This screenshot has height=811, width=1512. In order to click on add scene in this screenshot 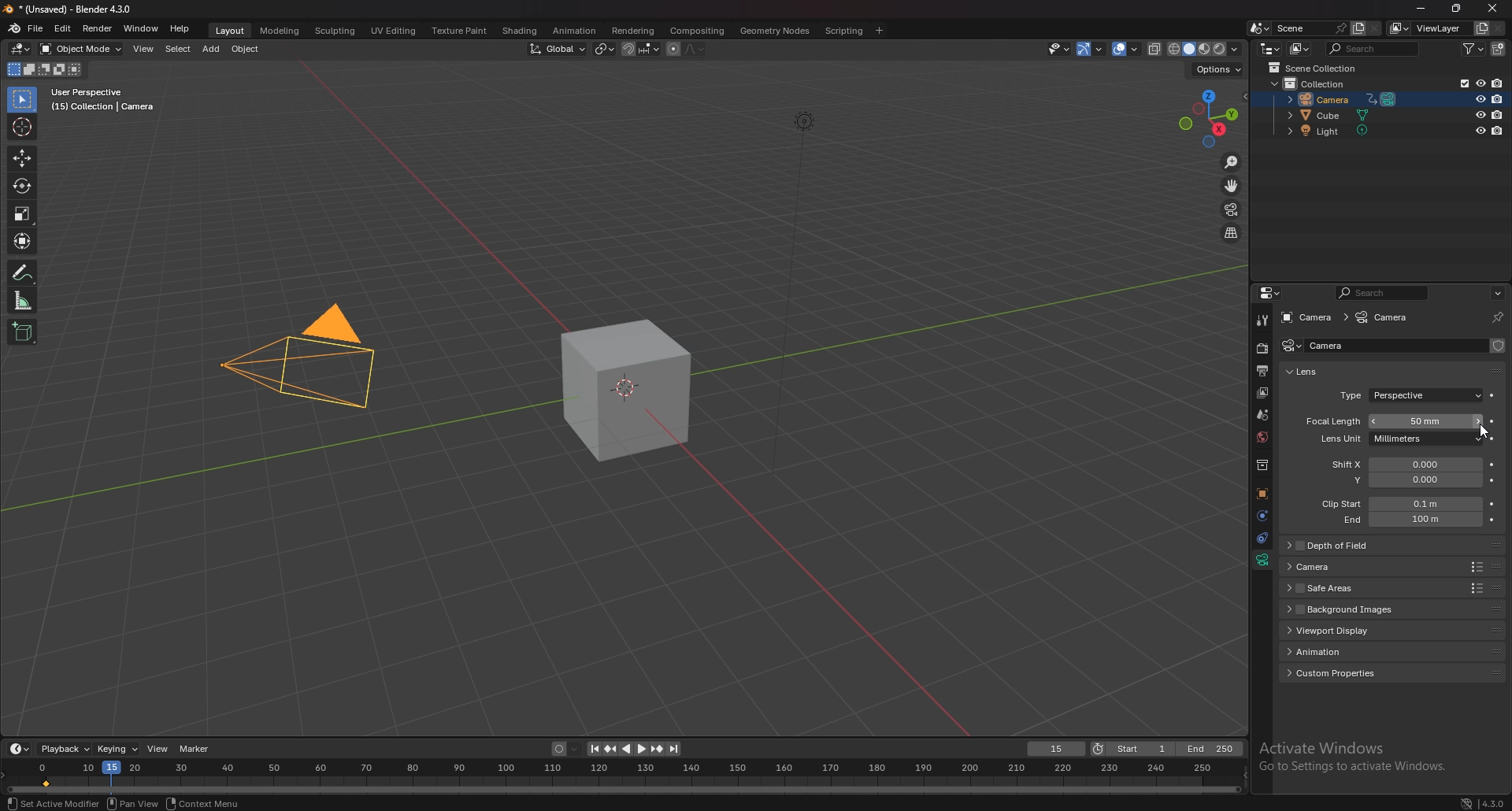, I will do `click(1357, 29)`.